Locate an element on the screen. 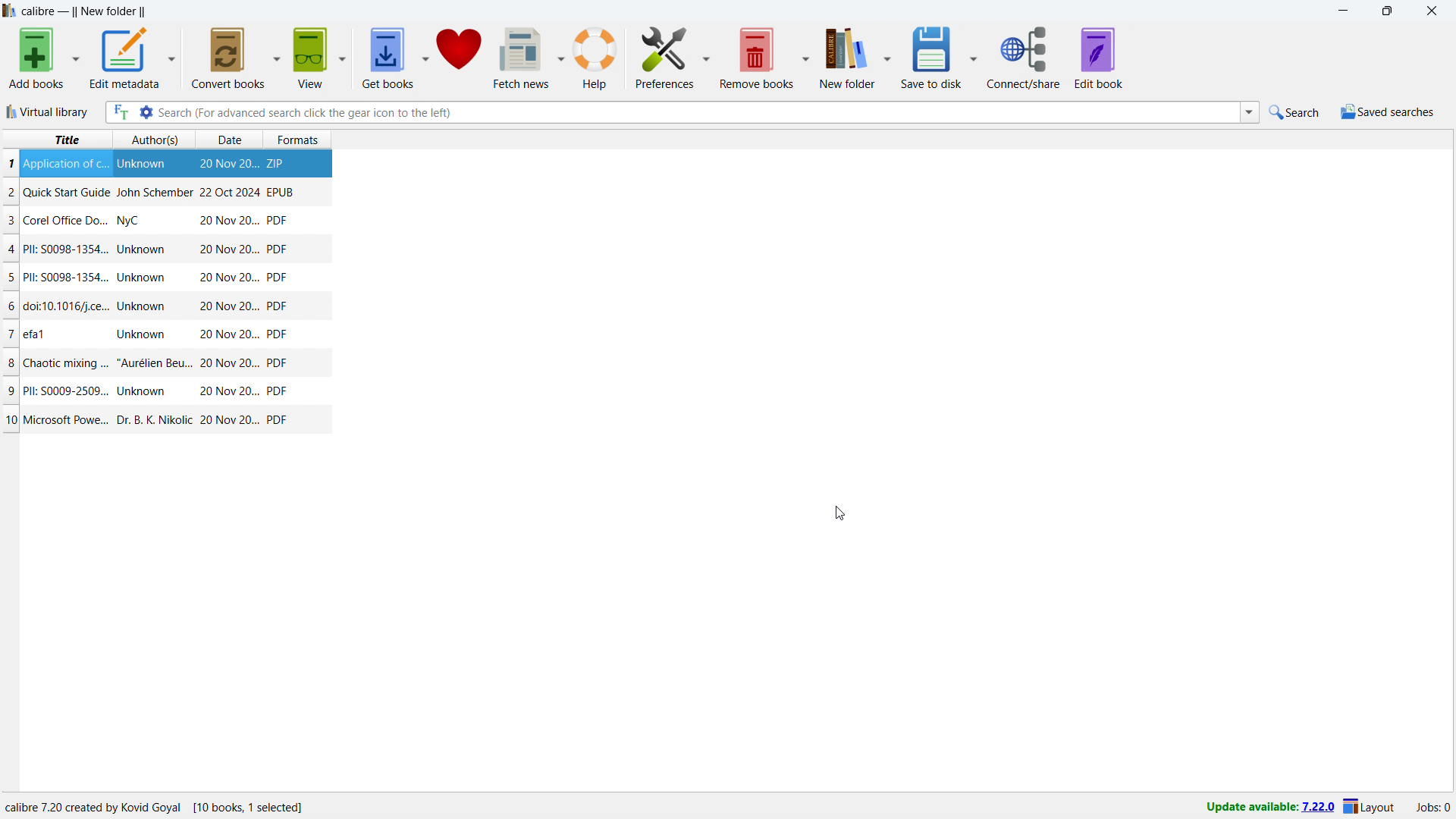 The width and height of the screenshot is (1456, 819). PDF is located at coordinates (278, 419).